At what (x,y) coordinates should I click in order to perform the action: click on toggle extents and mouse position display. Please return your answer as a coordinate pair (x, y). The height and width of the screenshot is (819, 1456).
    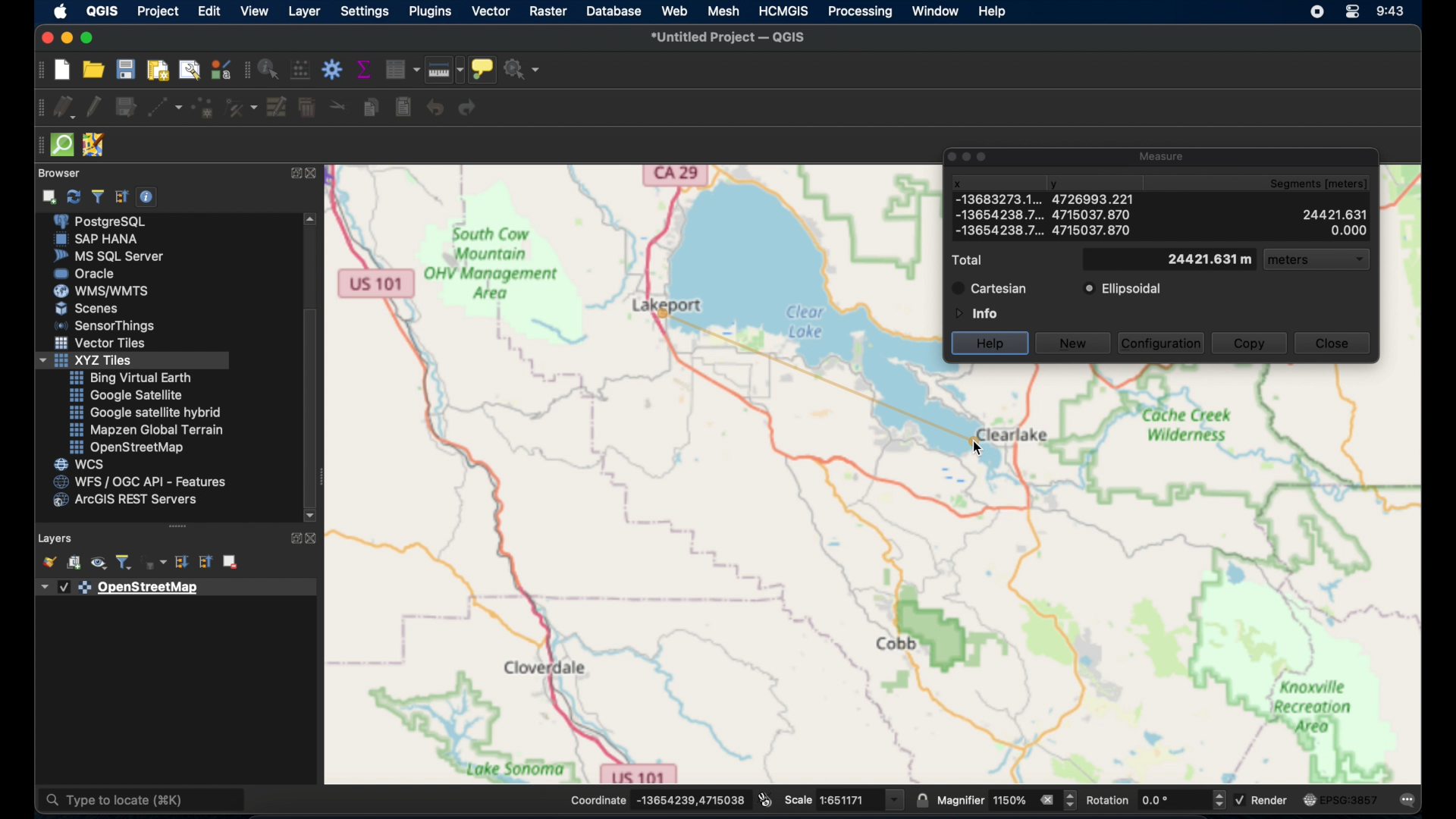
    Looking at the image, I should click on (765, 799).